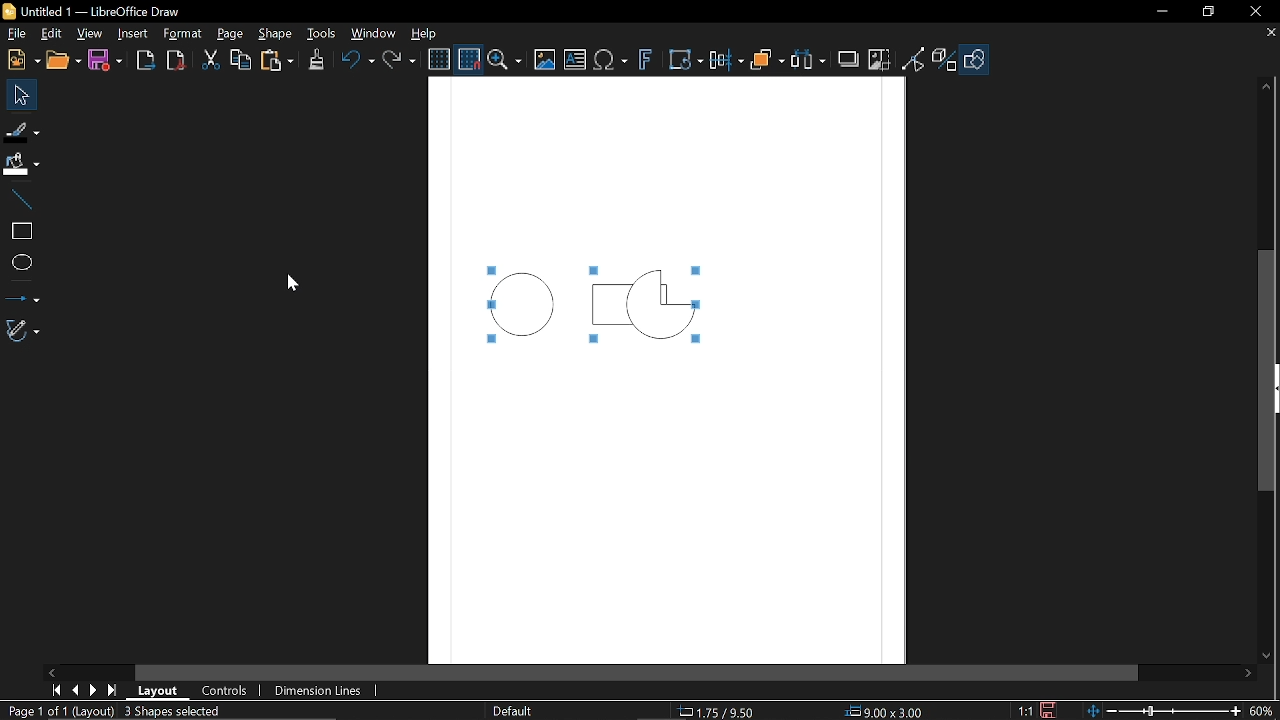 The height and width of the screenshot is (720, 1280). Describe the element at coordinates (356, 62) in the screenshot. I see `Undo` at that location.